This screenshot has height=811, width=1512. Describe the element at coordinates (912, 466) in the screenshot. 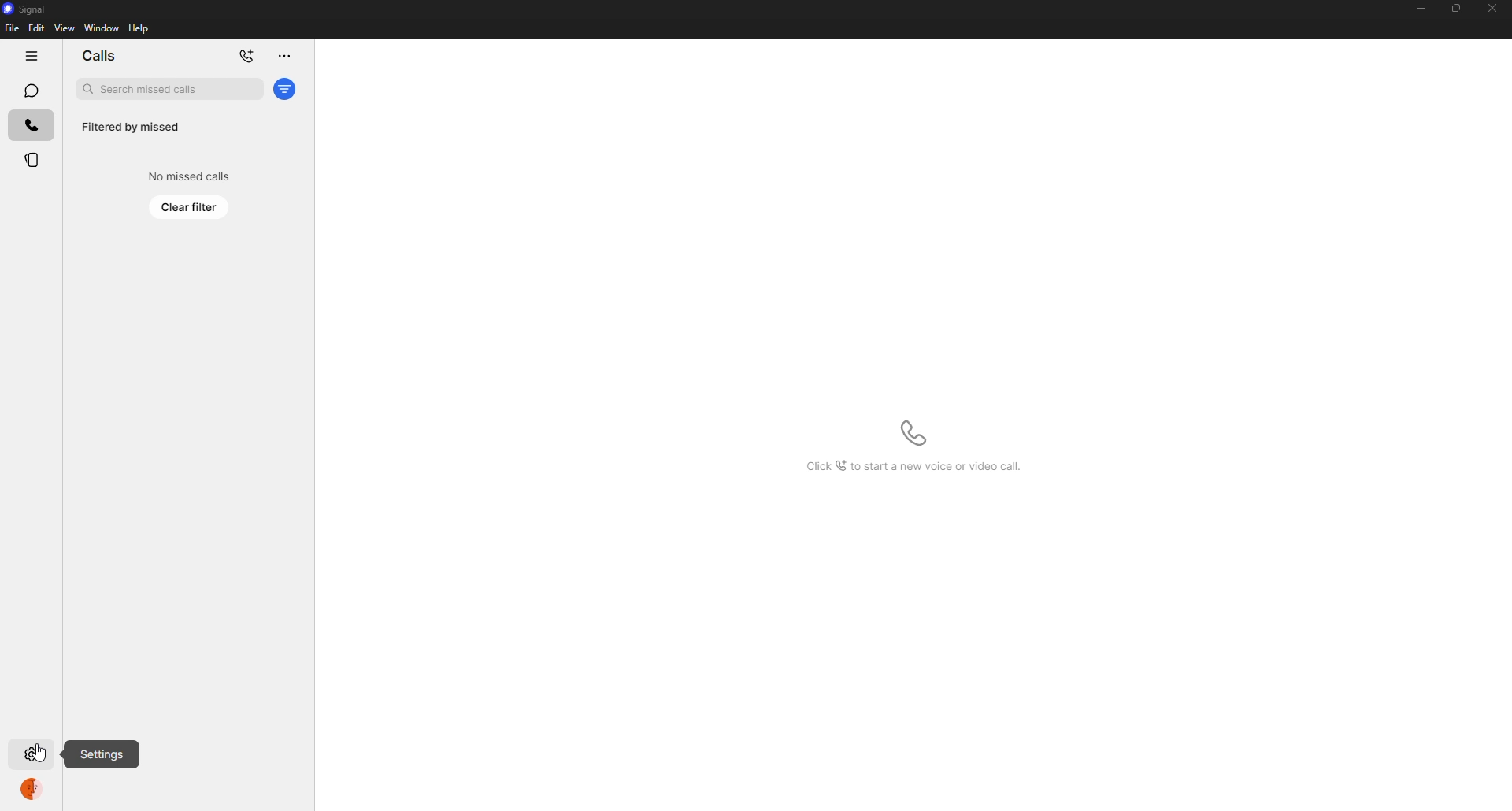

I see `Click to start a new voice or video call ` at that location.